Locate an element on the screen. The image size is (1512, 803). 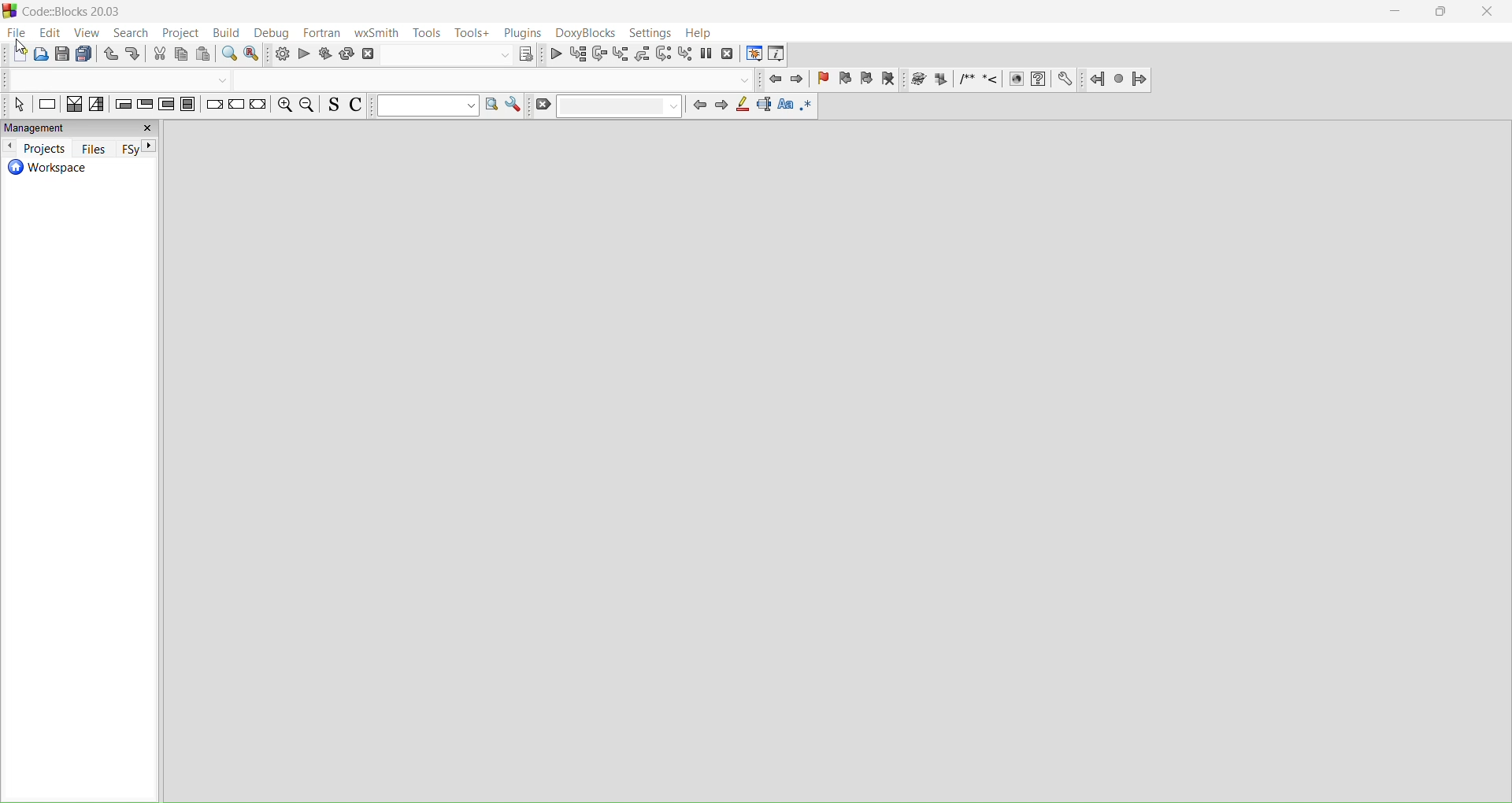
Jump forward is located at coordinates (1142, 80).